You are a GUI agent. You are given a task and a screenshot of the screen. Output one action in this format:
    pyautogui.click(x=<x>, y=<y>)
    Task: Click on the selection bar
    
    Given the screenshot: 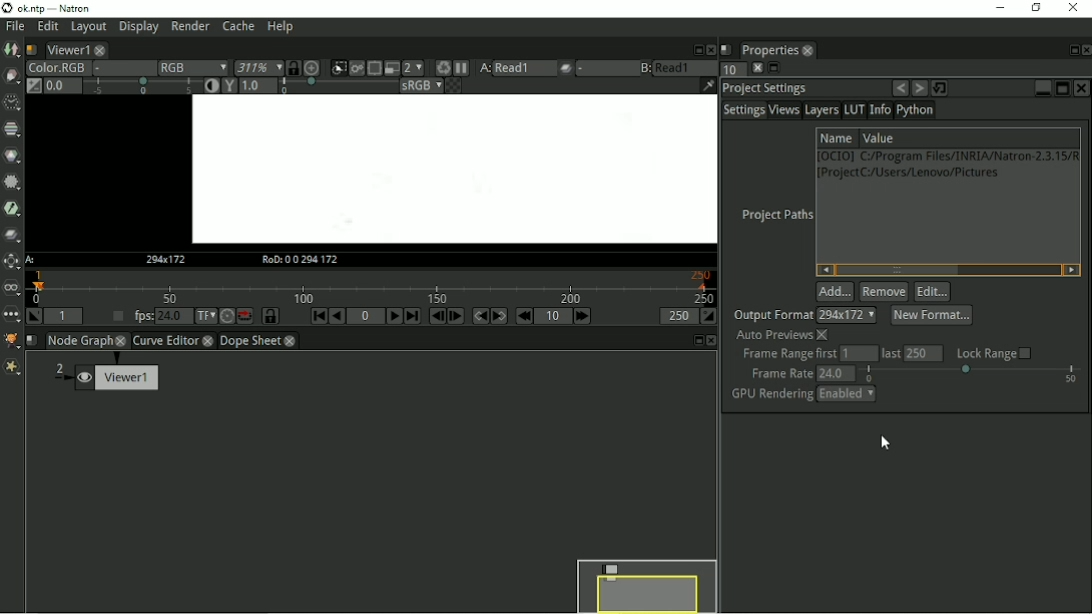 What is the action you would take?
    pyautogui.click(x=972, y=374)
    